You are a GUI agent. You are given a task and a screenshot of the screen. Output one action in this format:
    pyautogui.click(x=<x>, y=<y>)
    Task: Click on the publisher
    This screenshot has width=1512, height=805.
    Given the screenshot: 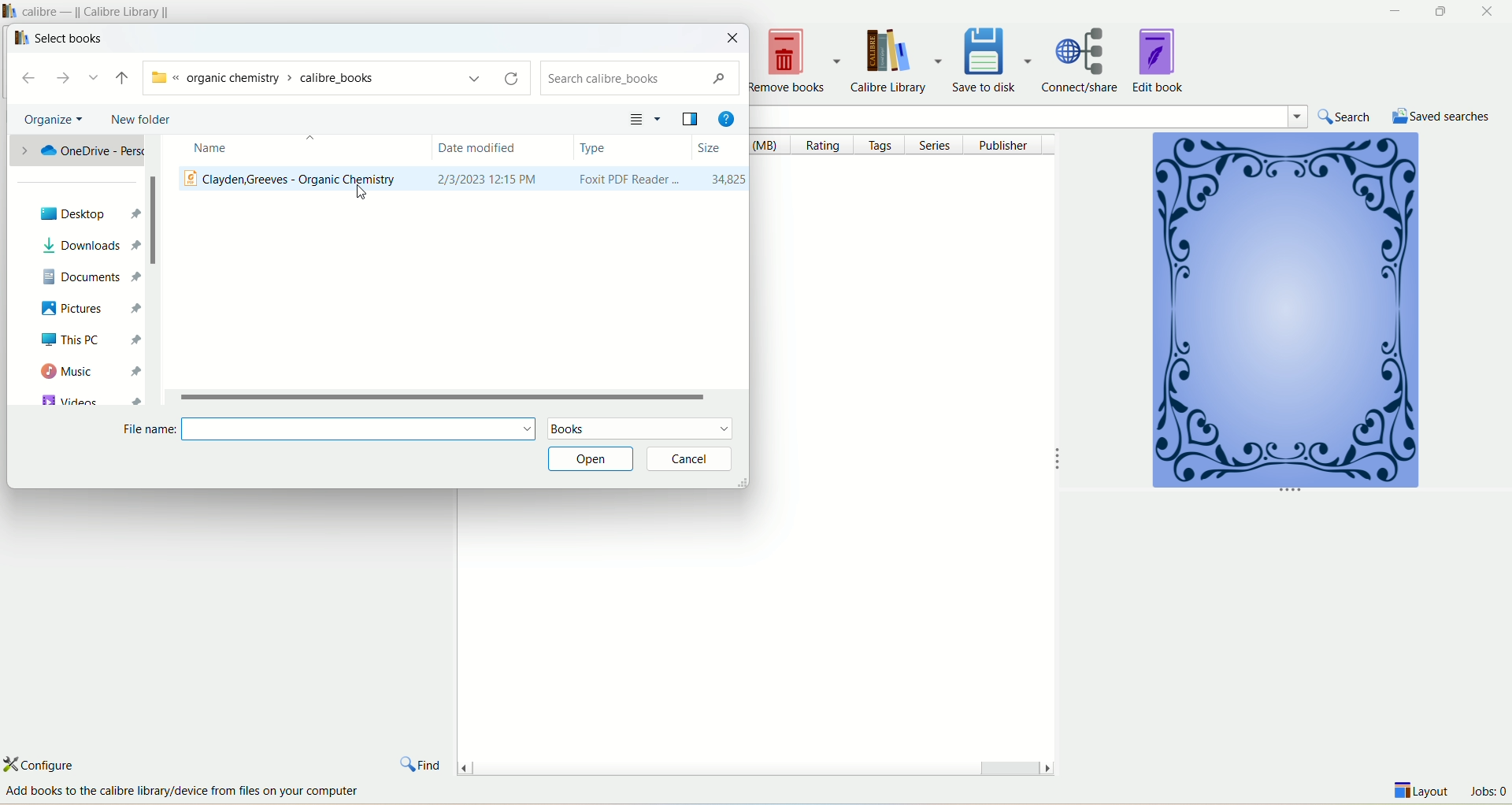 What is the action you would take?
    pyautogui.click(x=1008, y=144)
    